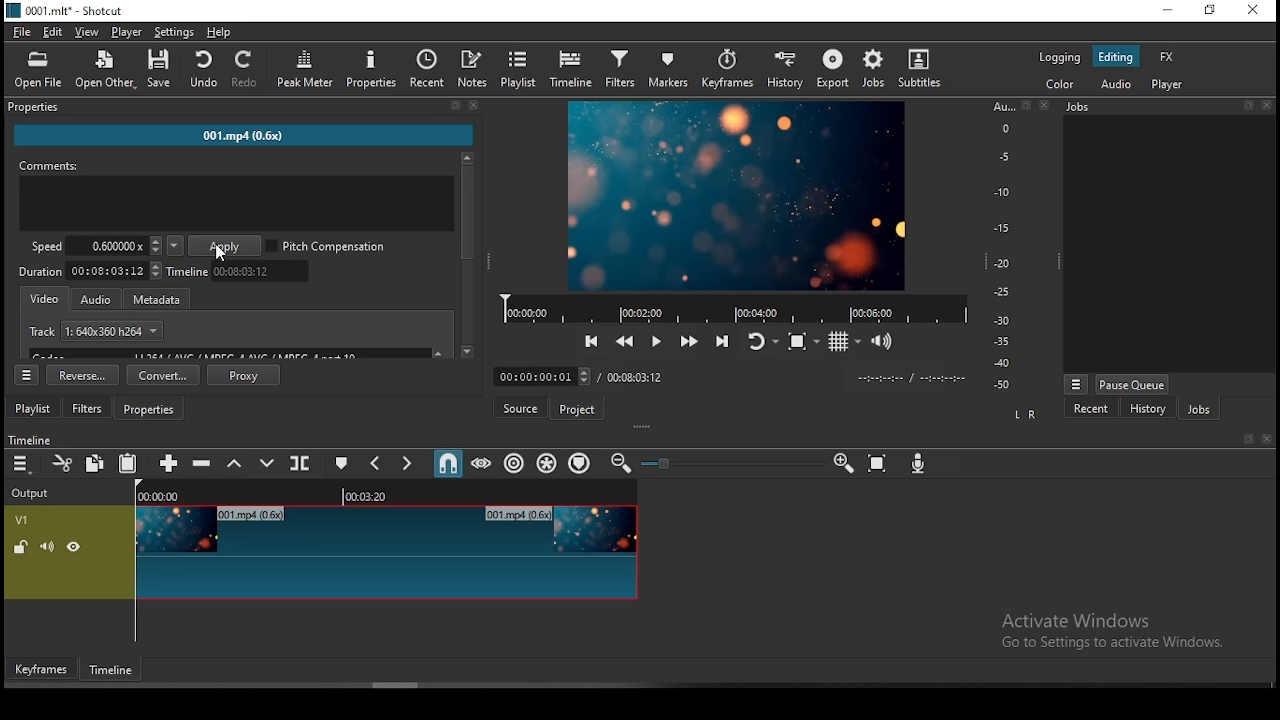 This screenshot has height=720, width=1280. Describe the element at coordinates (217, 249) in the screenshot. I see `mouse pointer` at that location.